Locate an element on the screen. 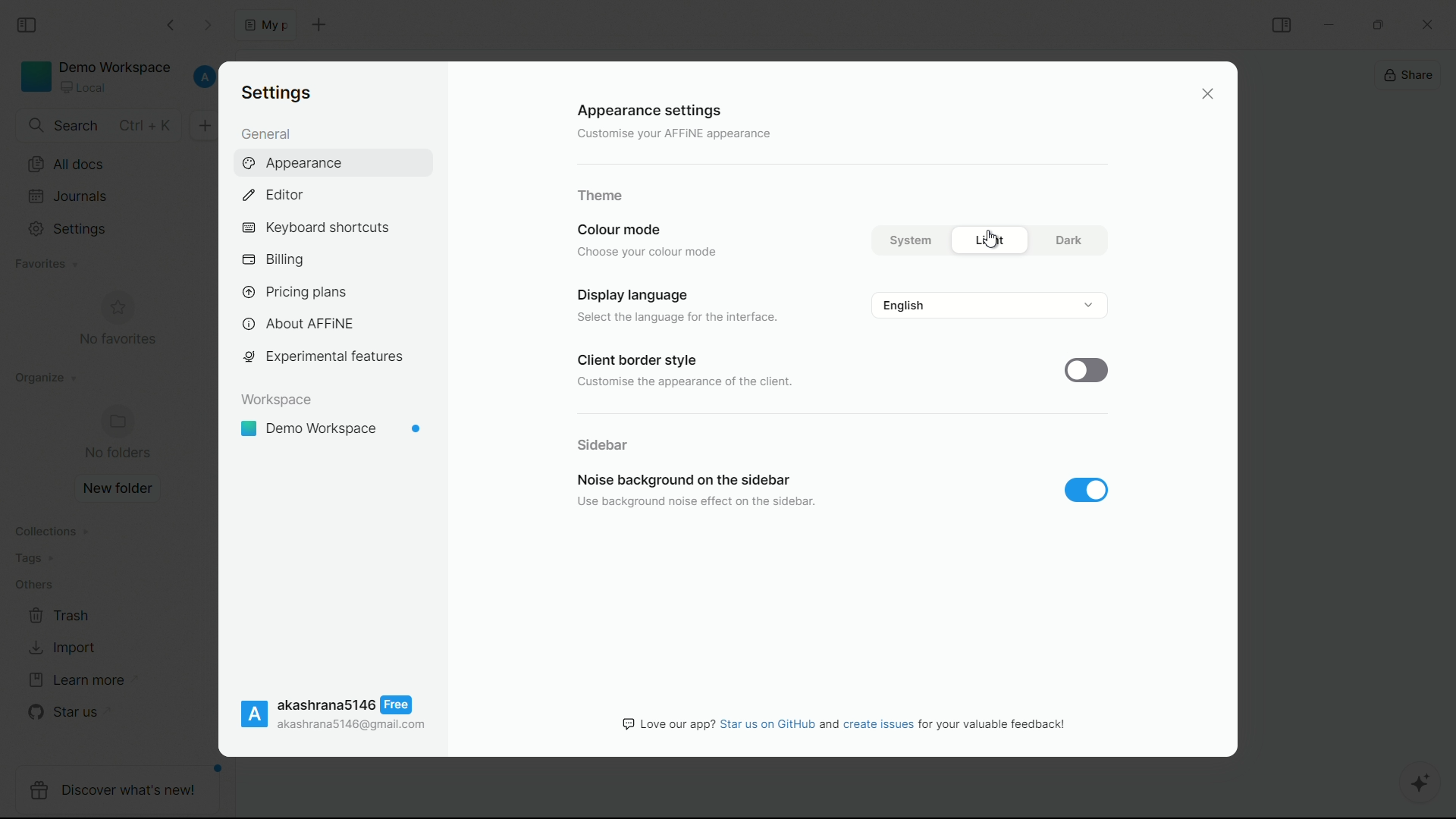 The height and width of the screenshot is (819, 1456). demo workspace is located at coordinates (331, 429).